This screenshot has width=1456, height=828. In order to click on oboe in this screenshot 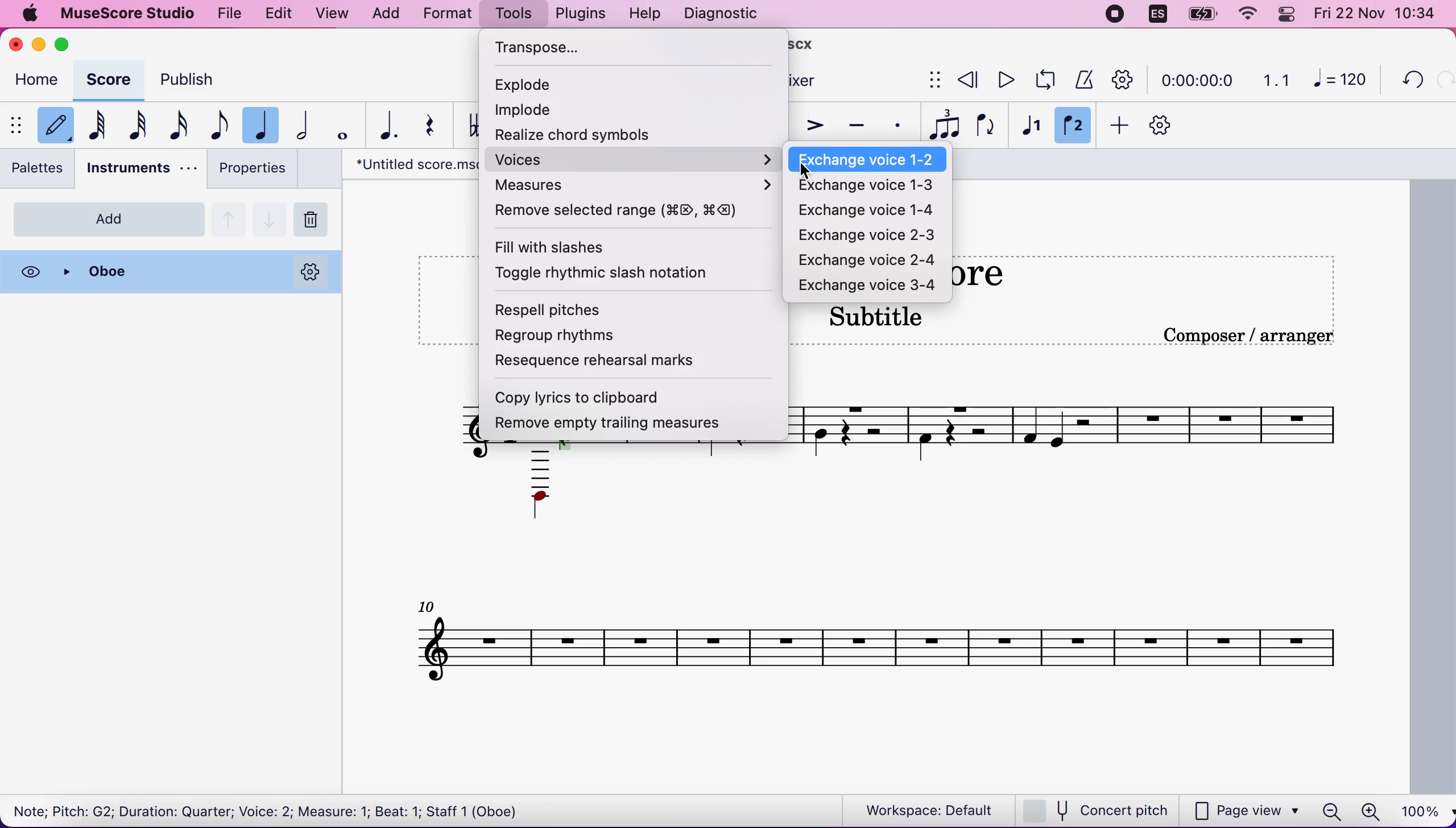, I will do `click(167, 271)`.